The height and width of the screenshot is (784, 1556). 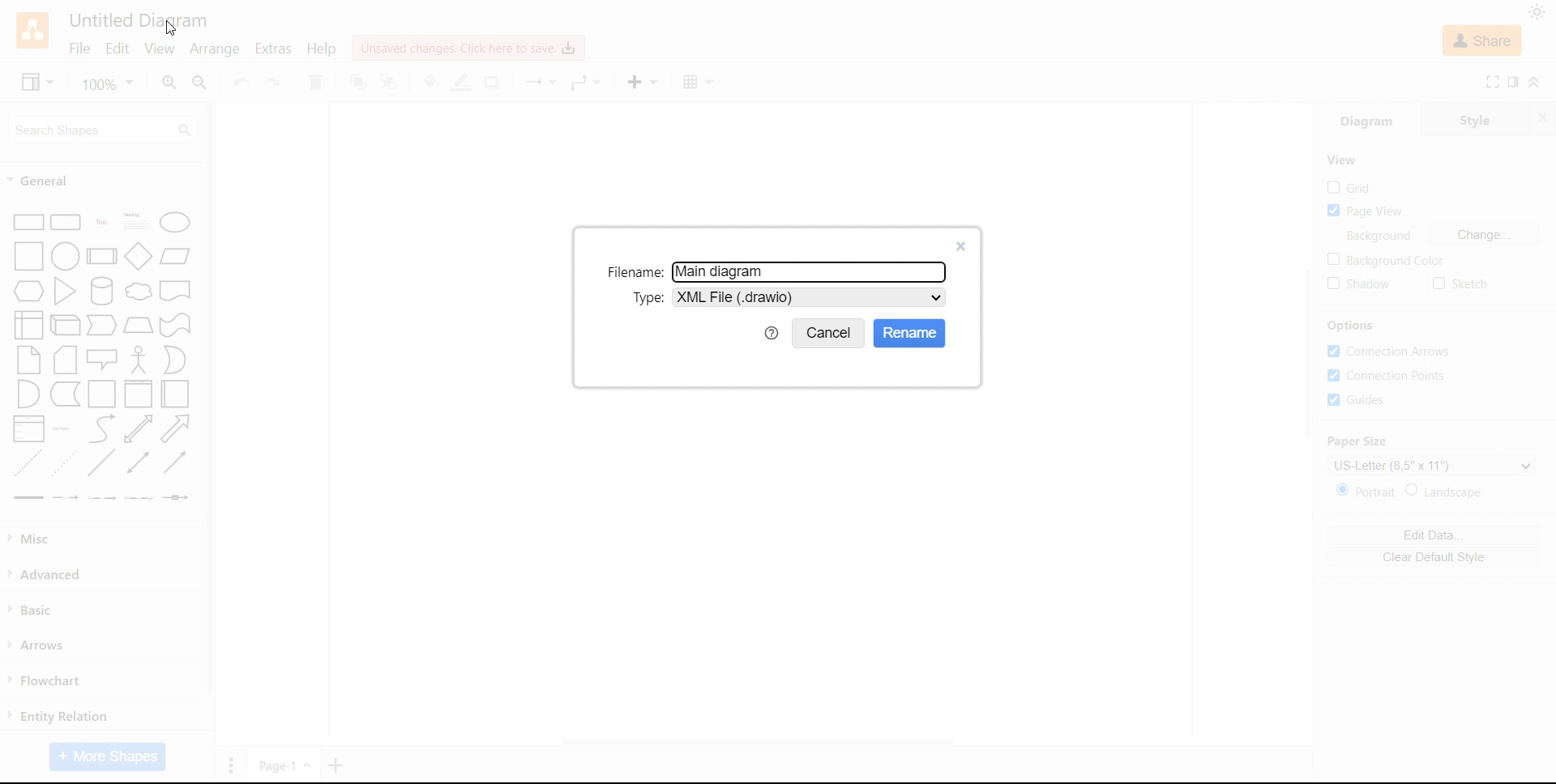 I want to click on Edit , so click(x=118, y=50).